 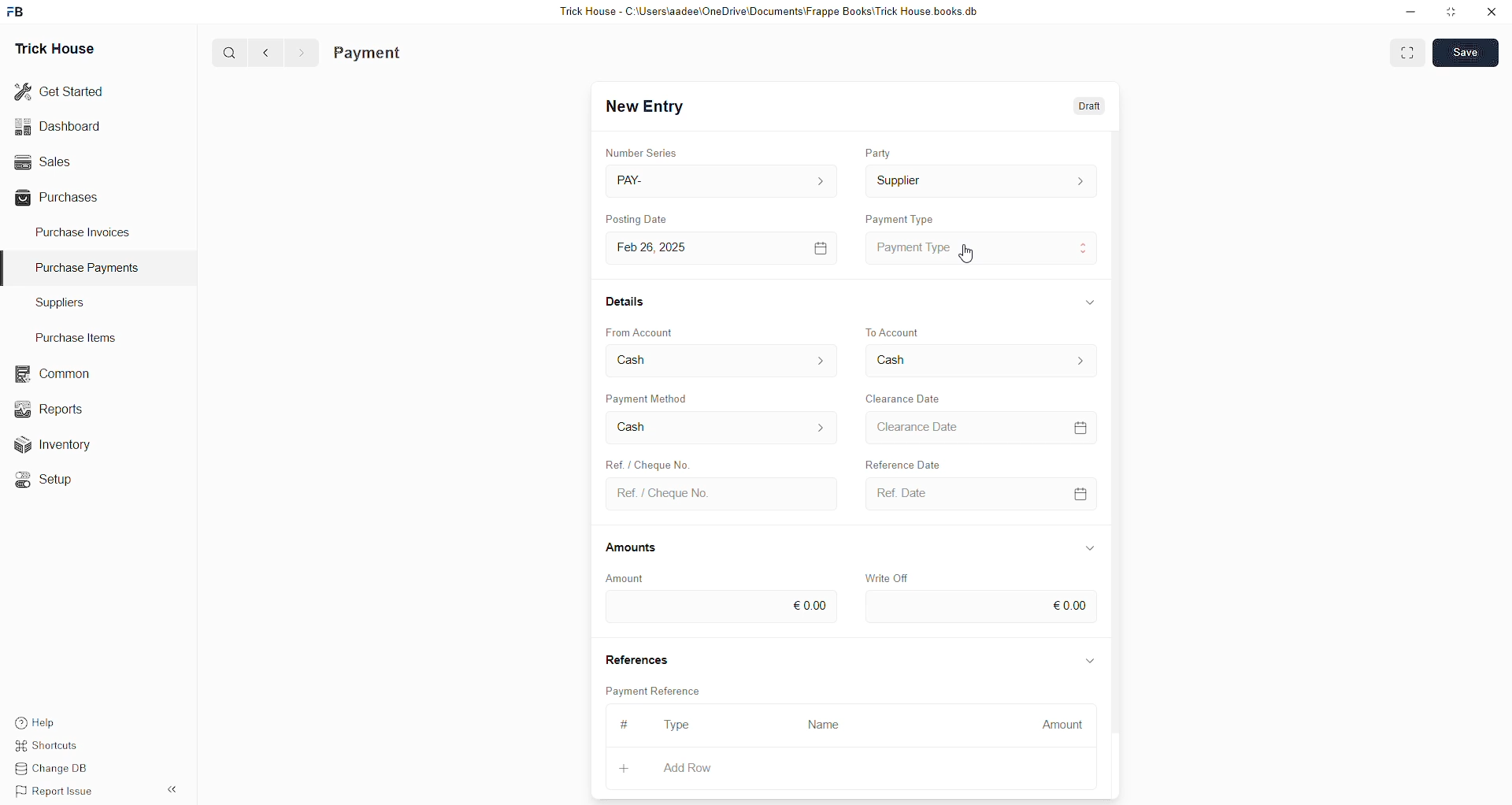 What do you see at coordinates (680, 725) in the screenshot?
I see `Type` at bounding box center [680, 725].